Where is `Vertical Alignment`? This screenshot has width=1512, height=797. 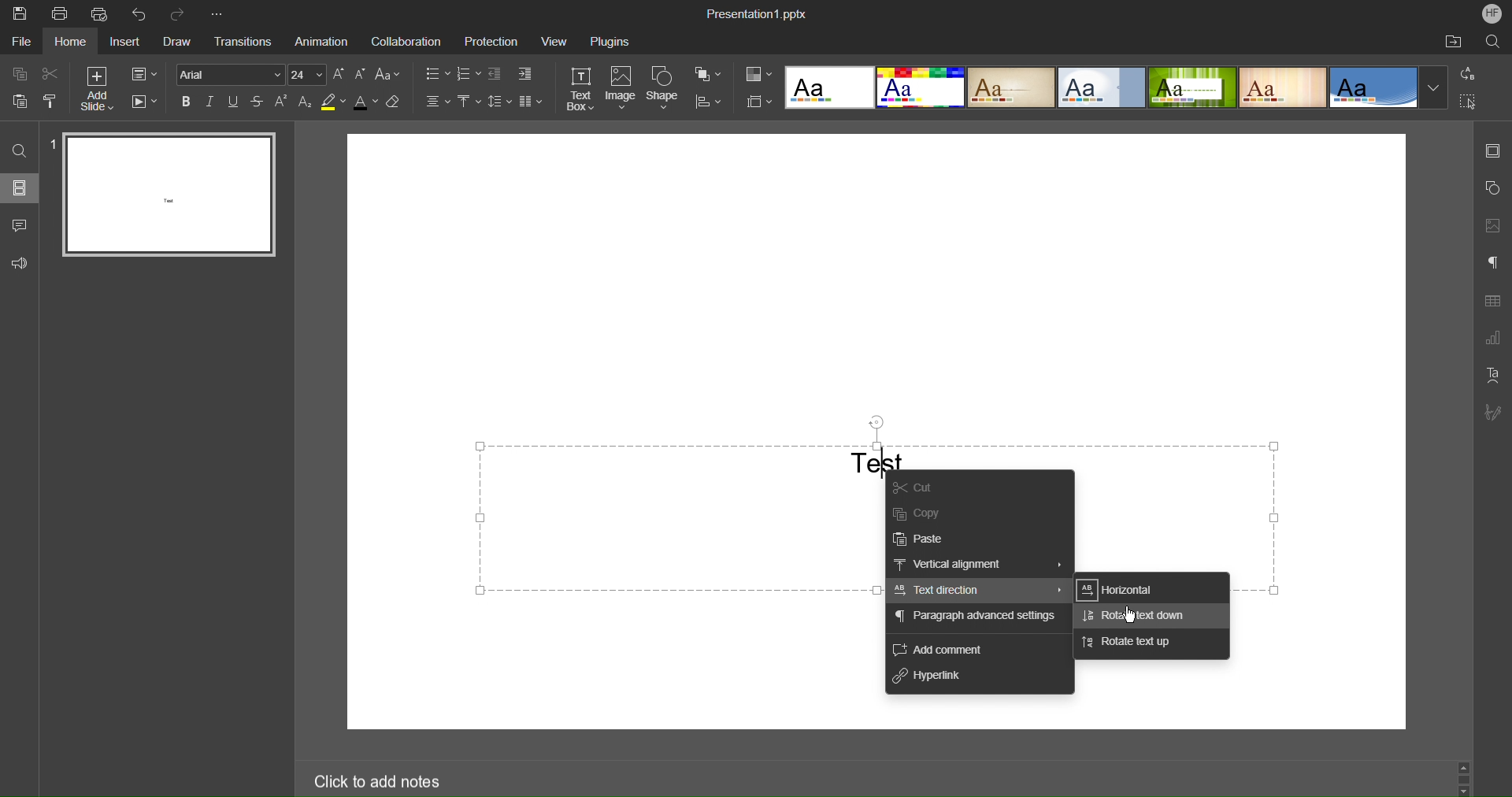 Vertical Alignment is located at coordinates (469, 103).